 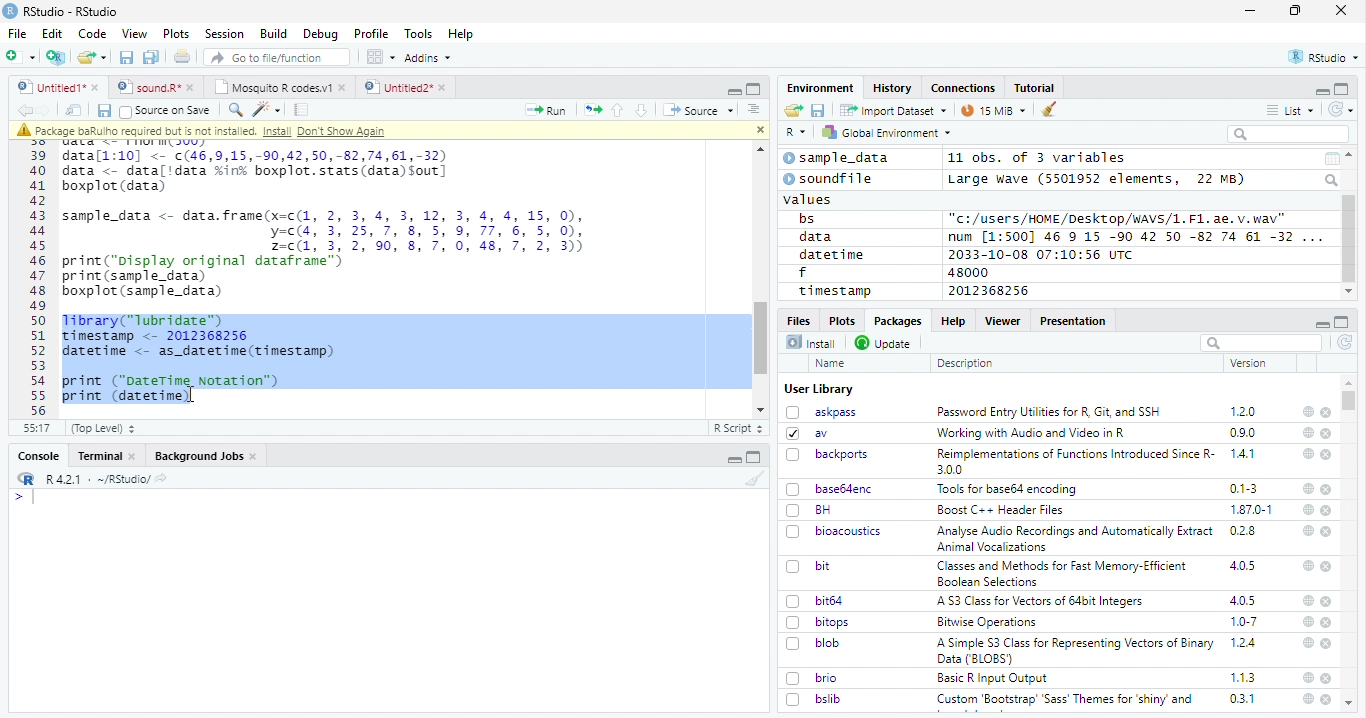 I want to click on minimize, so click(x=733, y=89).